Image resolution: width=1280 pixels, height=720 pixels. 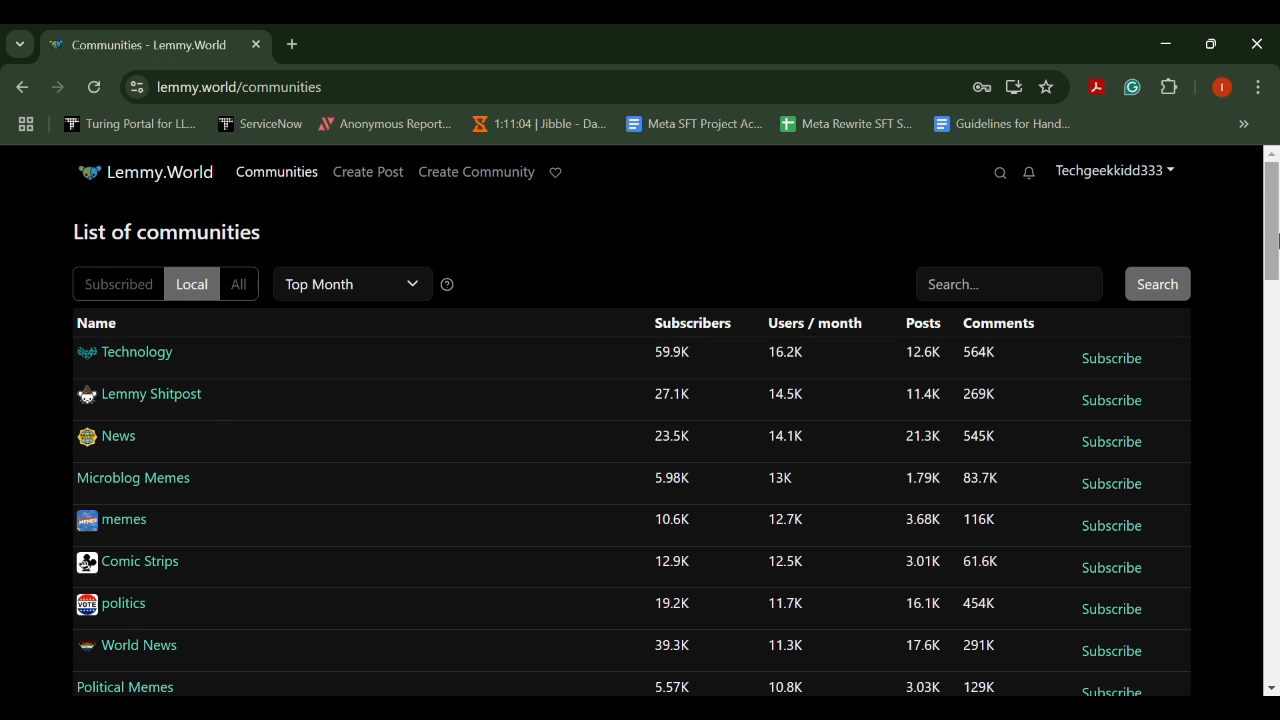 What do you see at coordinates (982, 353) in the screenshot?
I see `564K` at bounding box center [982, 353].